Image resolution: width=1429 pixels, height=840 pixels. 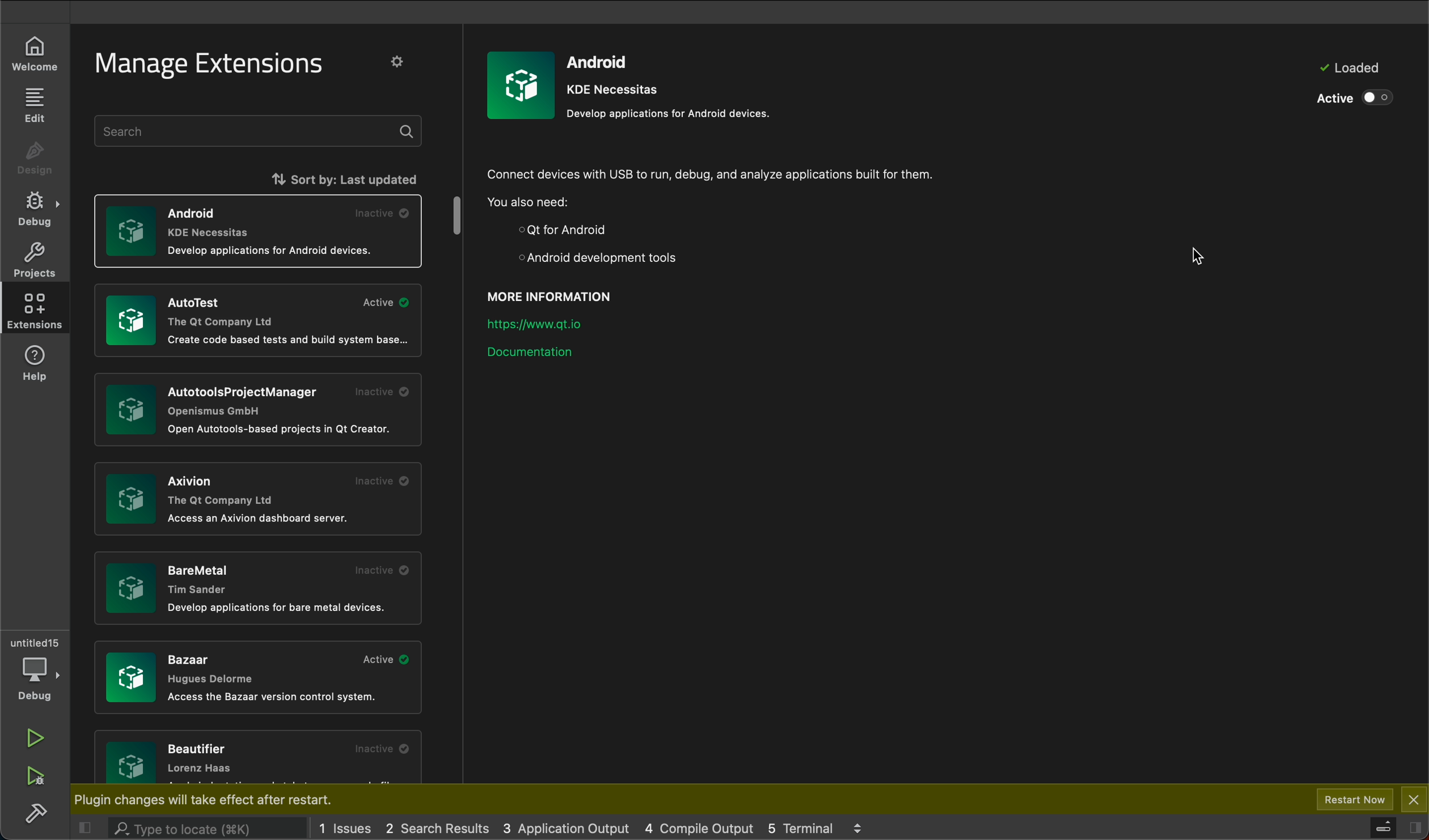 I want to click on hel, so click(x=40, y=363).